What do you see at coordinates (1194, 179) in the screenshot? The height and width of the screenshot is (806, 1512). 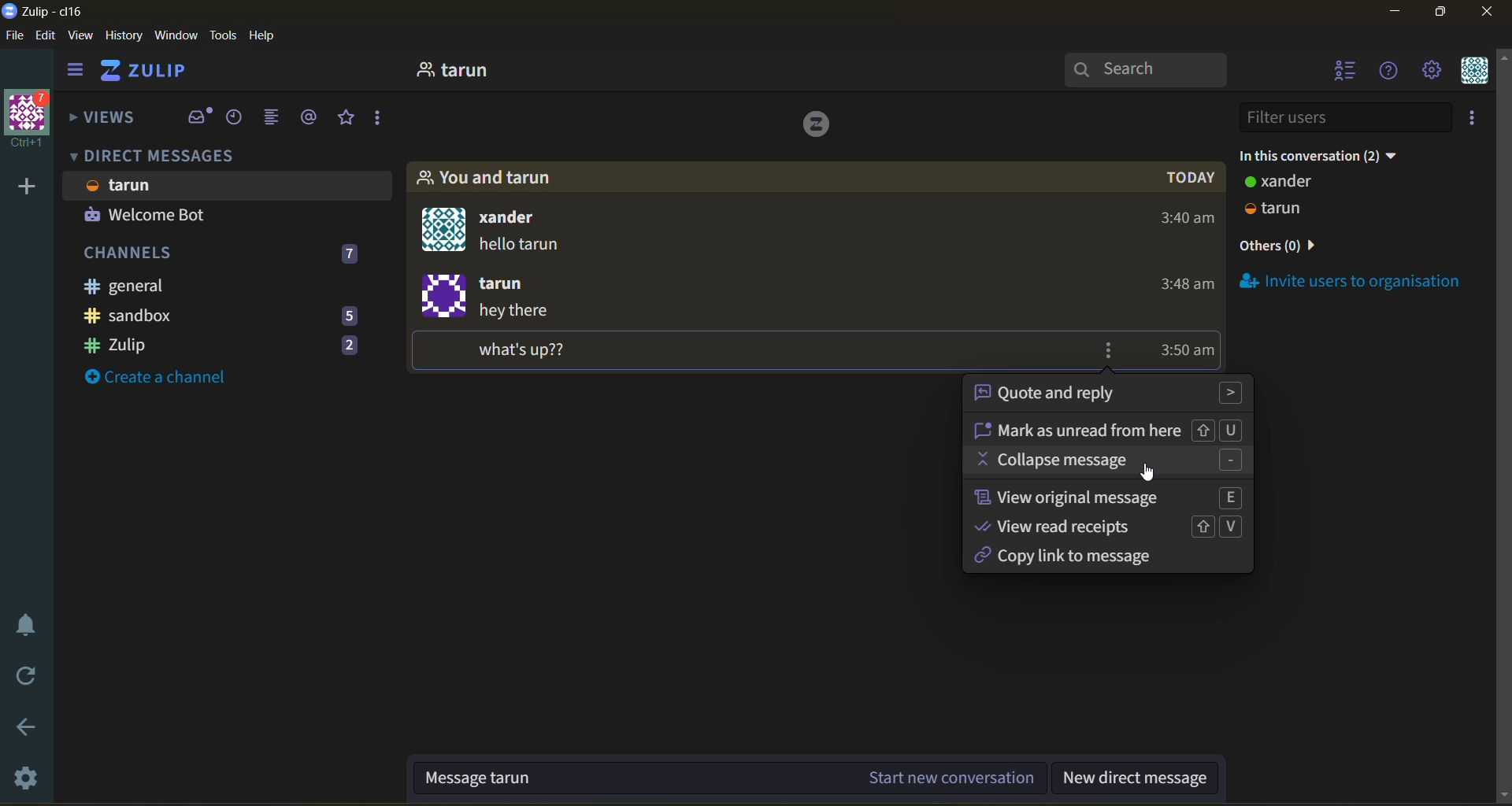 I see `day` at bounding box center [1194, 179].